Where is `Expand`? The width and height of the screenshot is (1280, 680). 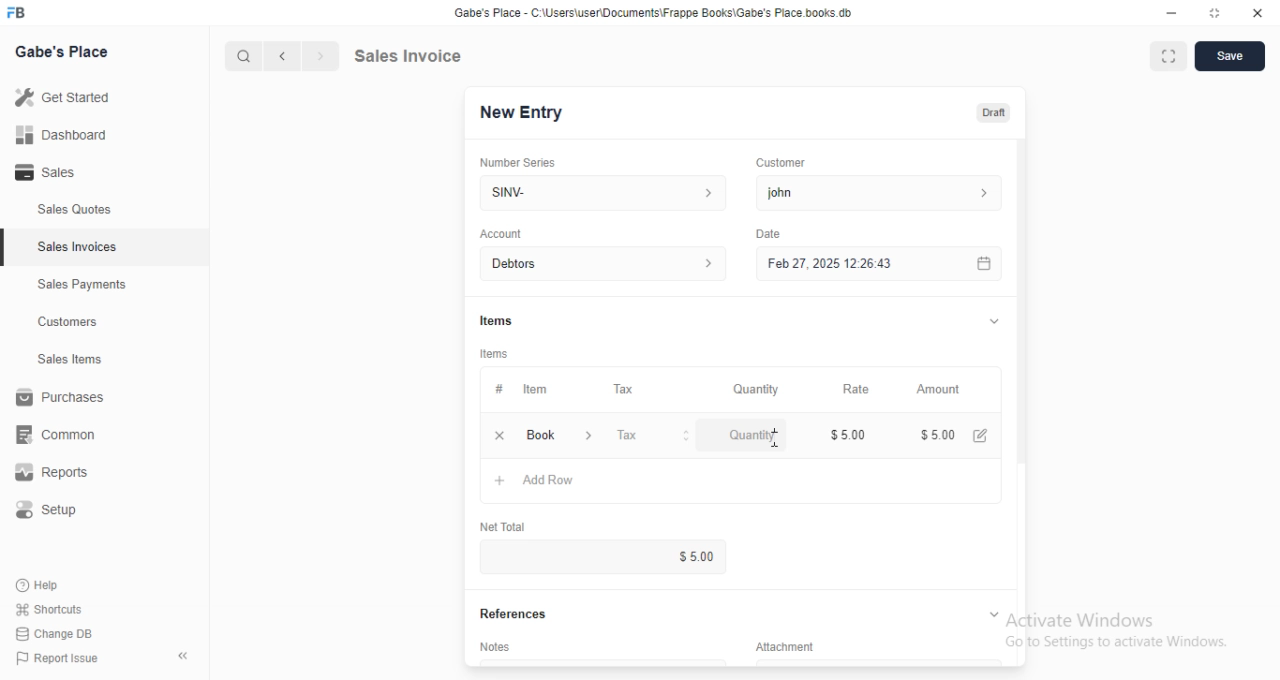 Expand is located at coordinates (989, 321).